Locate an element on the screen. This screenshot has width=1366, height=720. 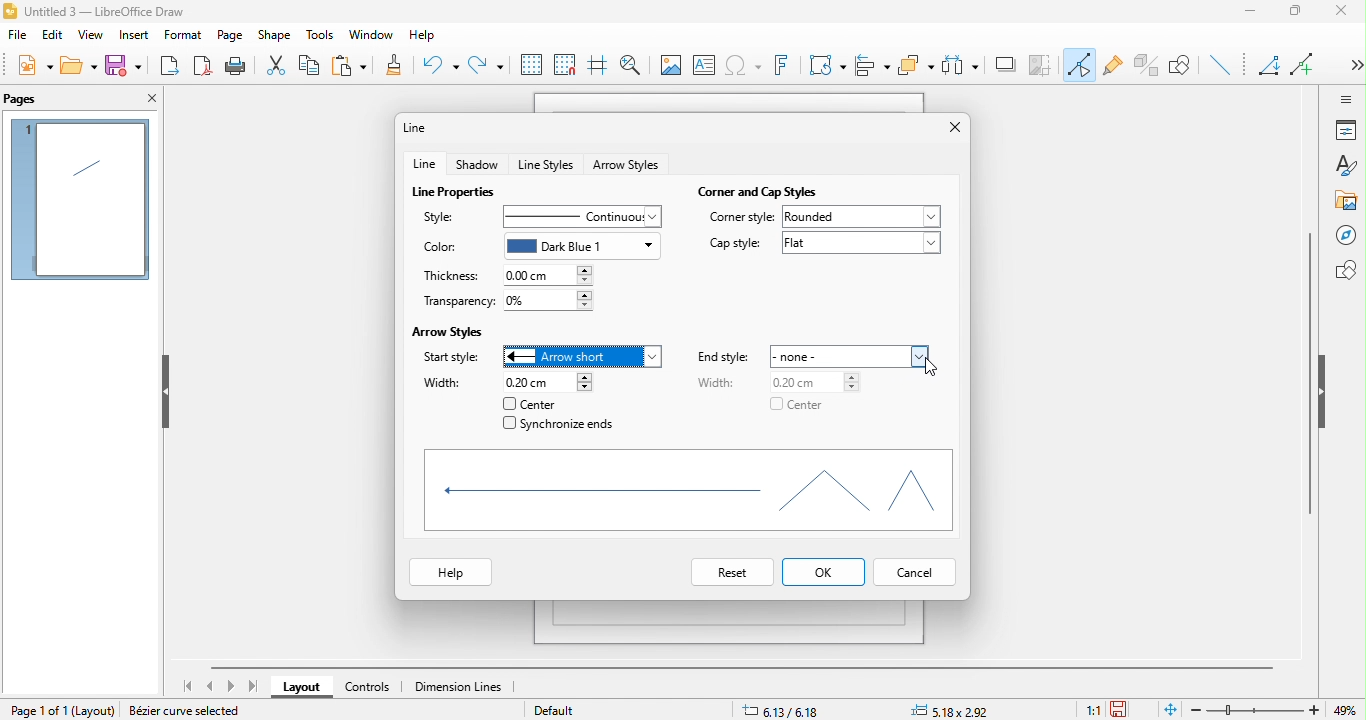
cut is located at coordinates (276, 66).